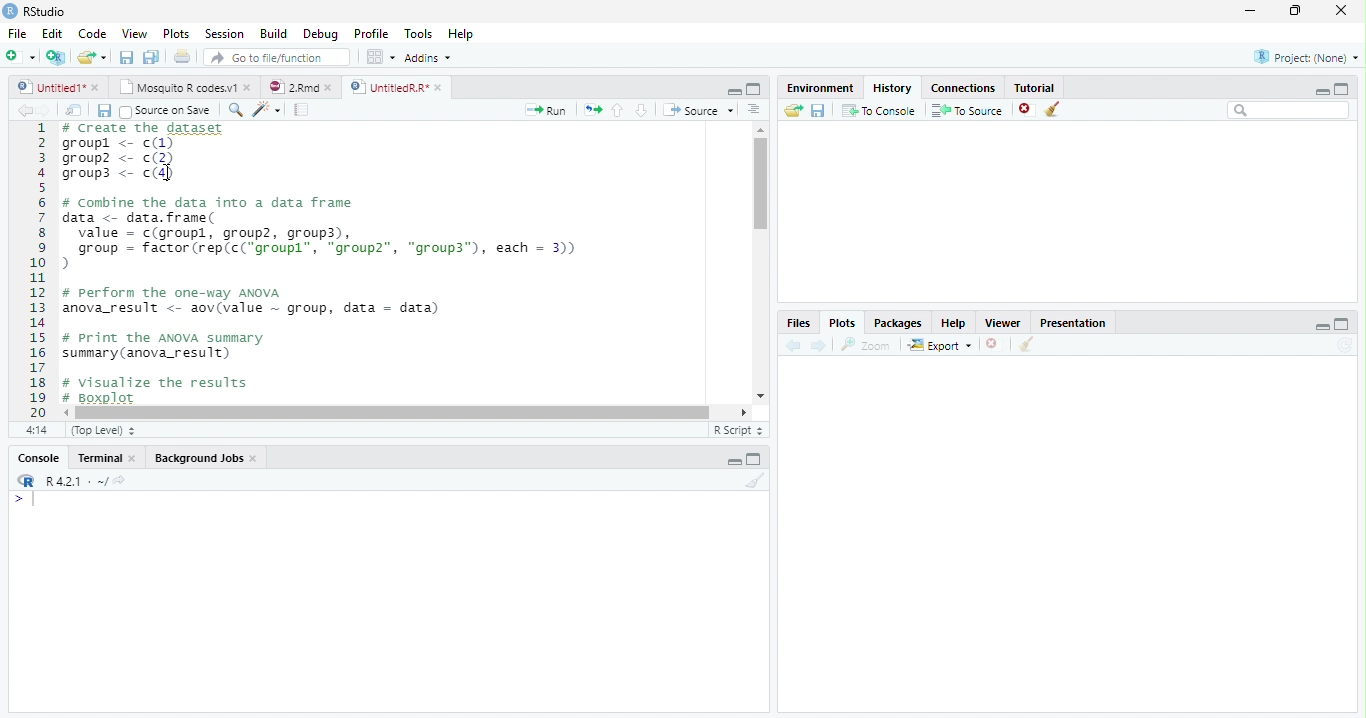 The width and height of the screenshot is (1366, 718). Describe the element at coordinates (277, 58) in the screenshot. I see `Go to file/function` at that location.